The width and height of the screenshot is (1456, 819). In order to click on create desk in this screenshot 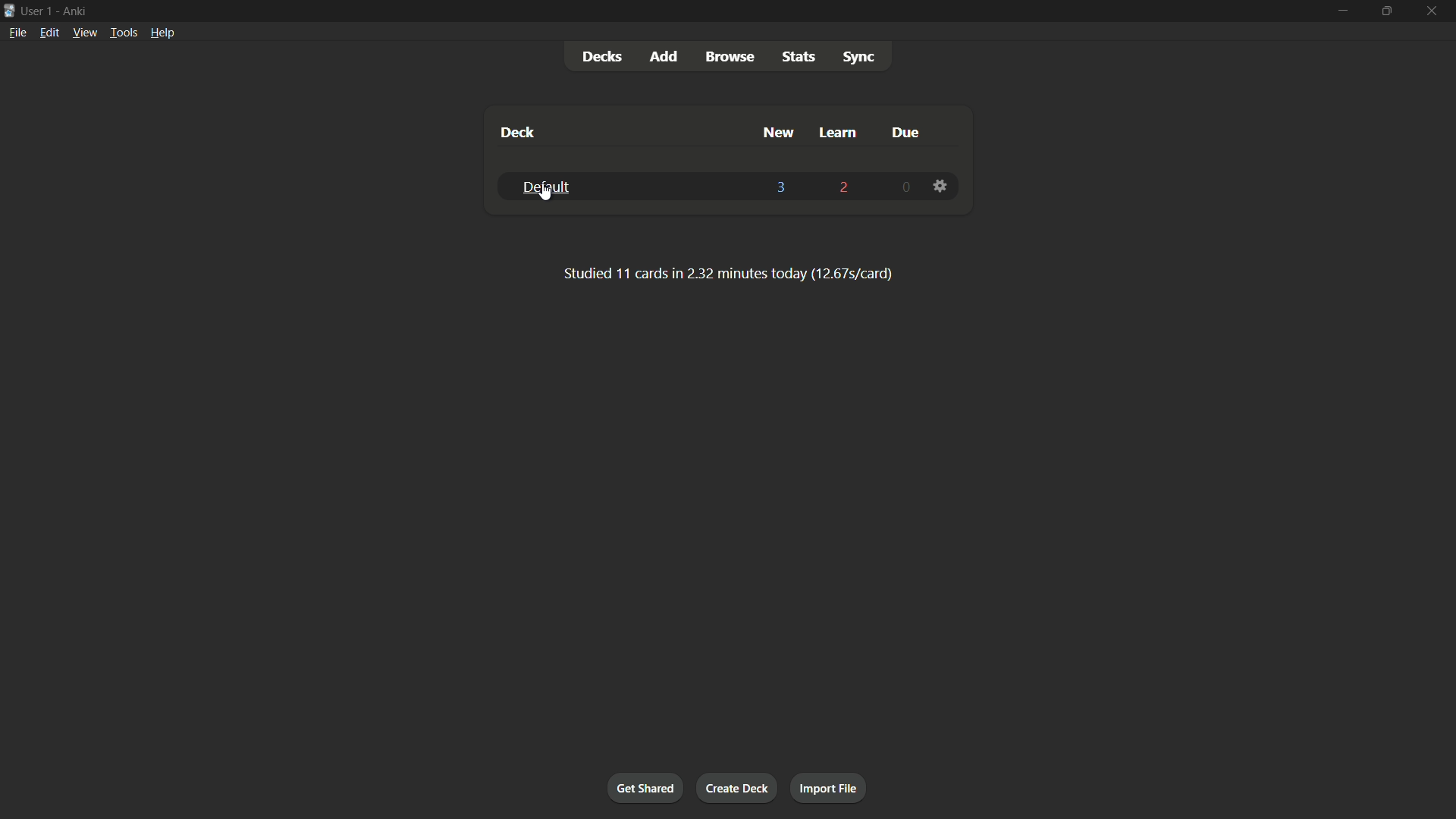, I will do `click(736, 787)`.